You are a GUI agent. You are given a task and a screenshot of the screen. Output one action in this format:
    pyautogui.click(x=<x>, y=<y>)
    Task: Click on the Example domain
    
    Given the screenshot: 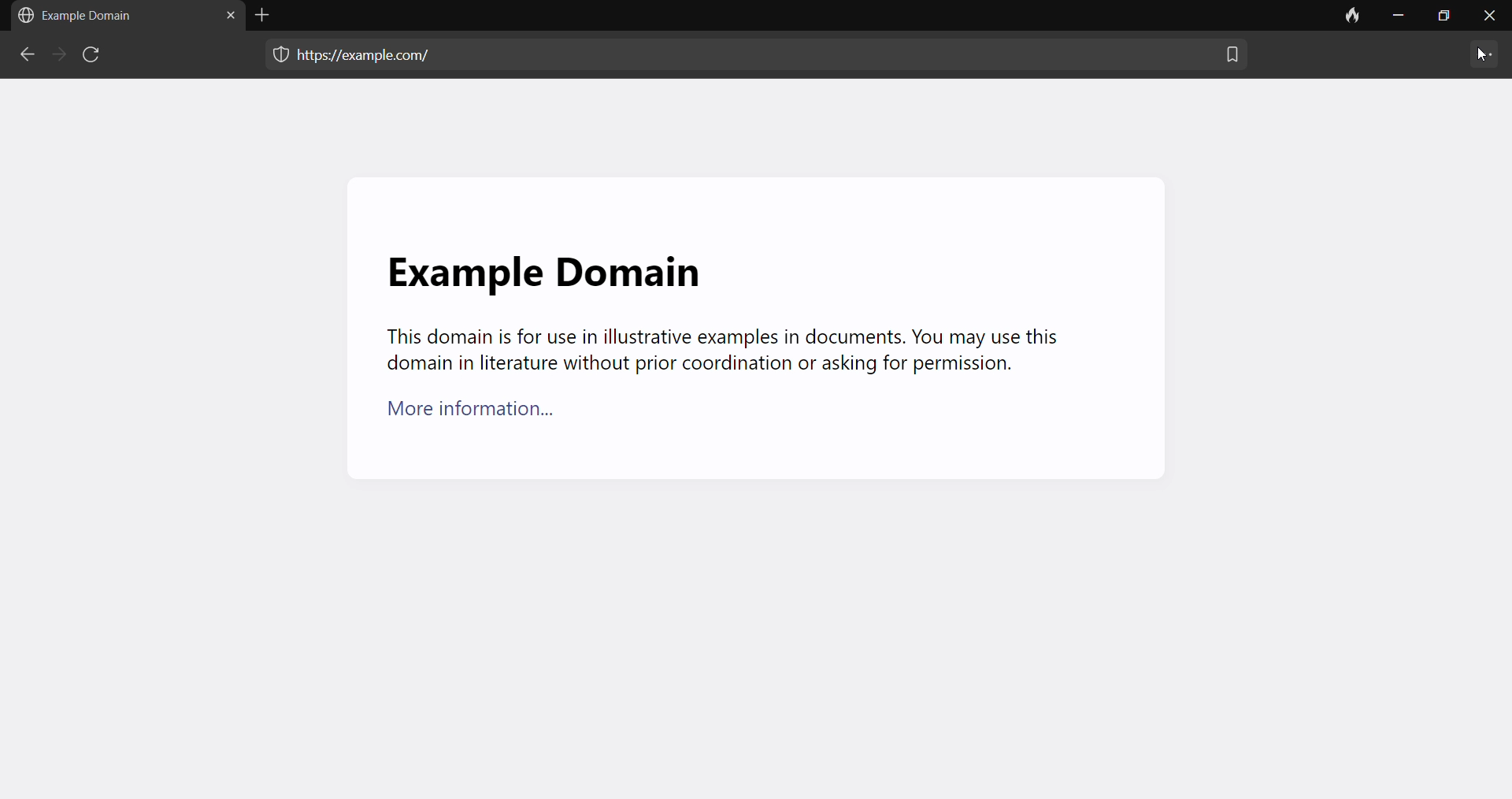 What is the action you would take?
    pyautogui.click(x=81, y=16)
    